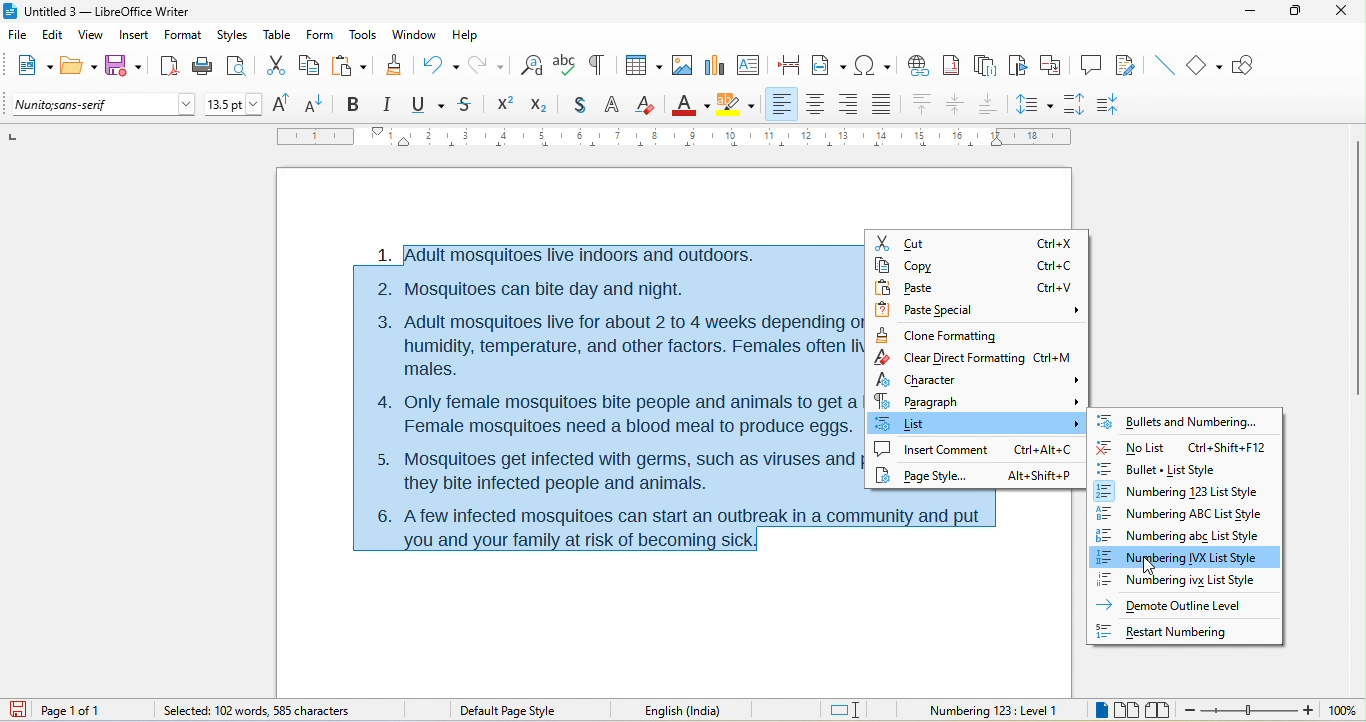 The image size is (1366, 722). What do you see at coordinates (977, 265) in the screenshot?
I see `copy` at bounding box center [977, 265].